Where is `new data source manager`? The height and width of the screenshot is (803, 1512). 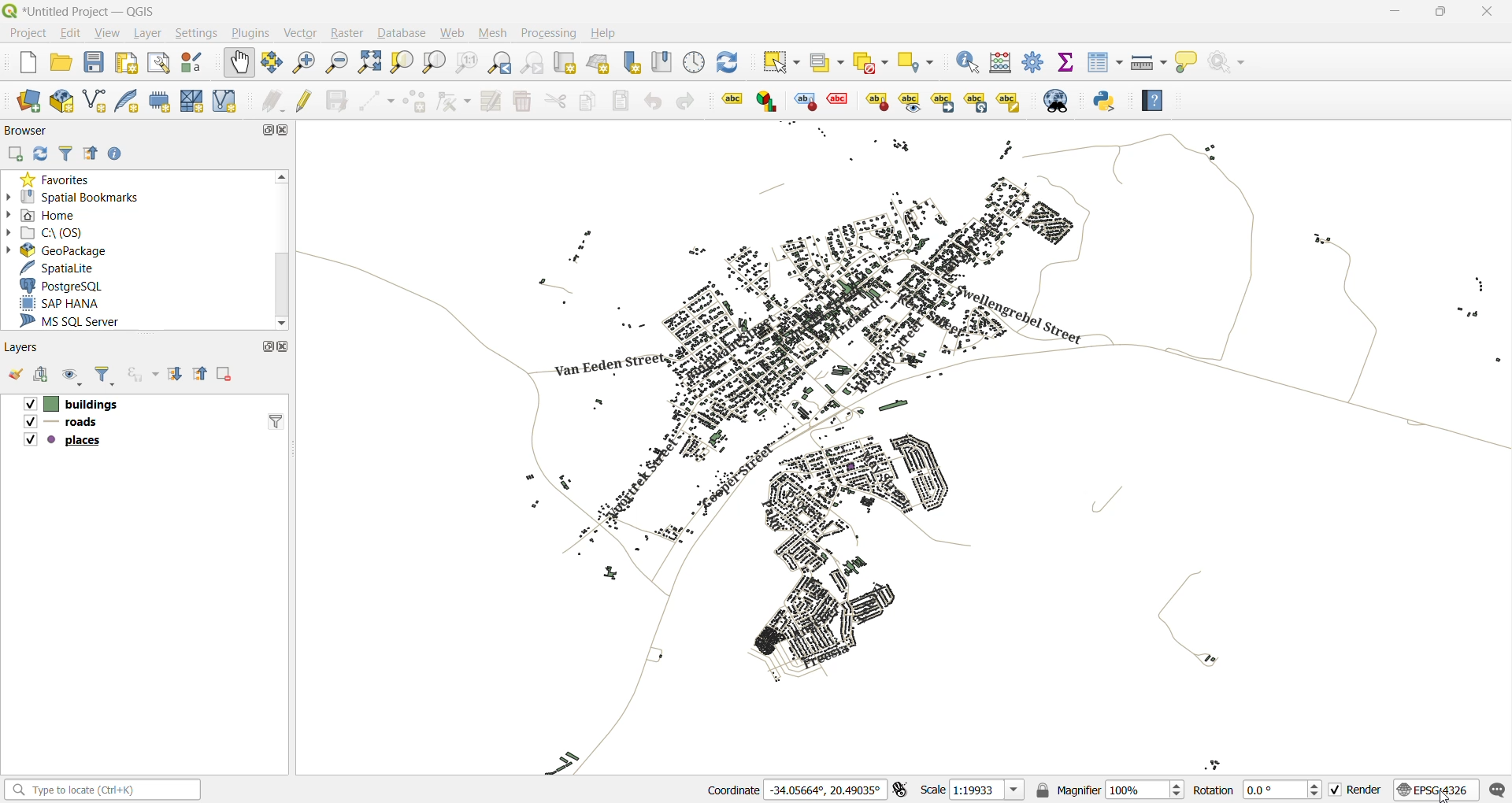 new data source manager is located at coordinates (33, 102).